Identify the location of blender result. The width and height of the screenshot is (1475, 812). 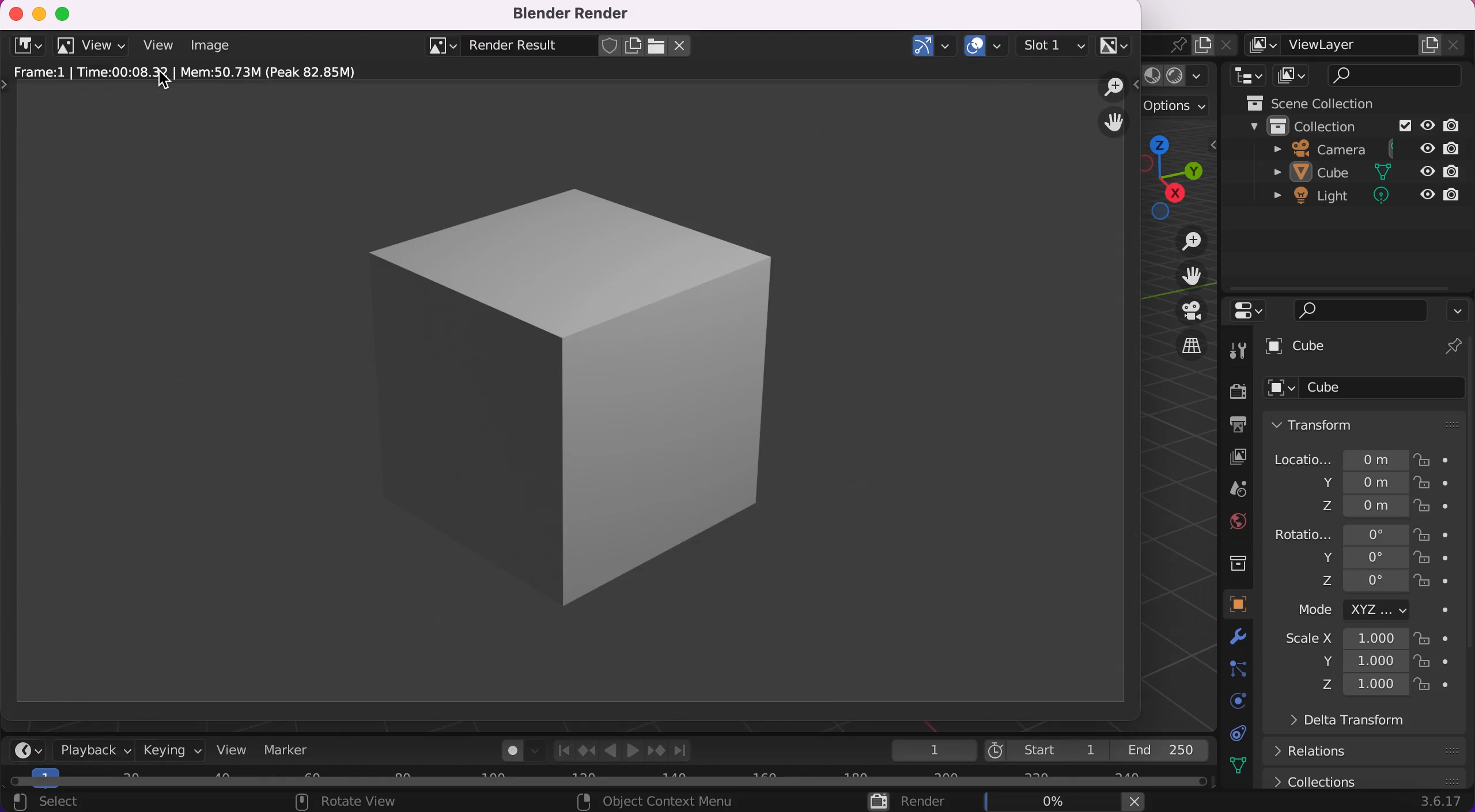
(528, 43).